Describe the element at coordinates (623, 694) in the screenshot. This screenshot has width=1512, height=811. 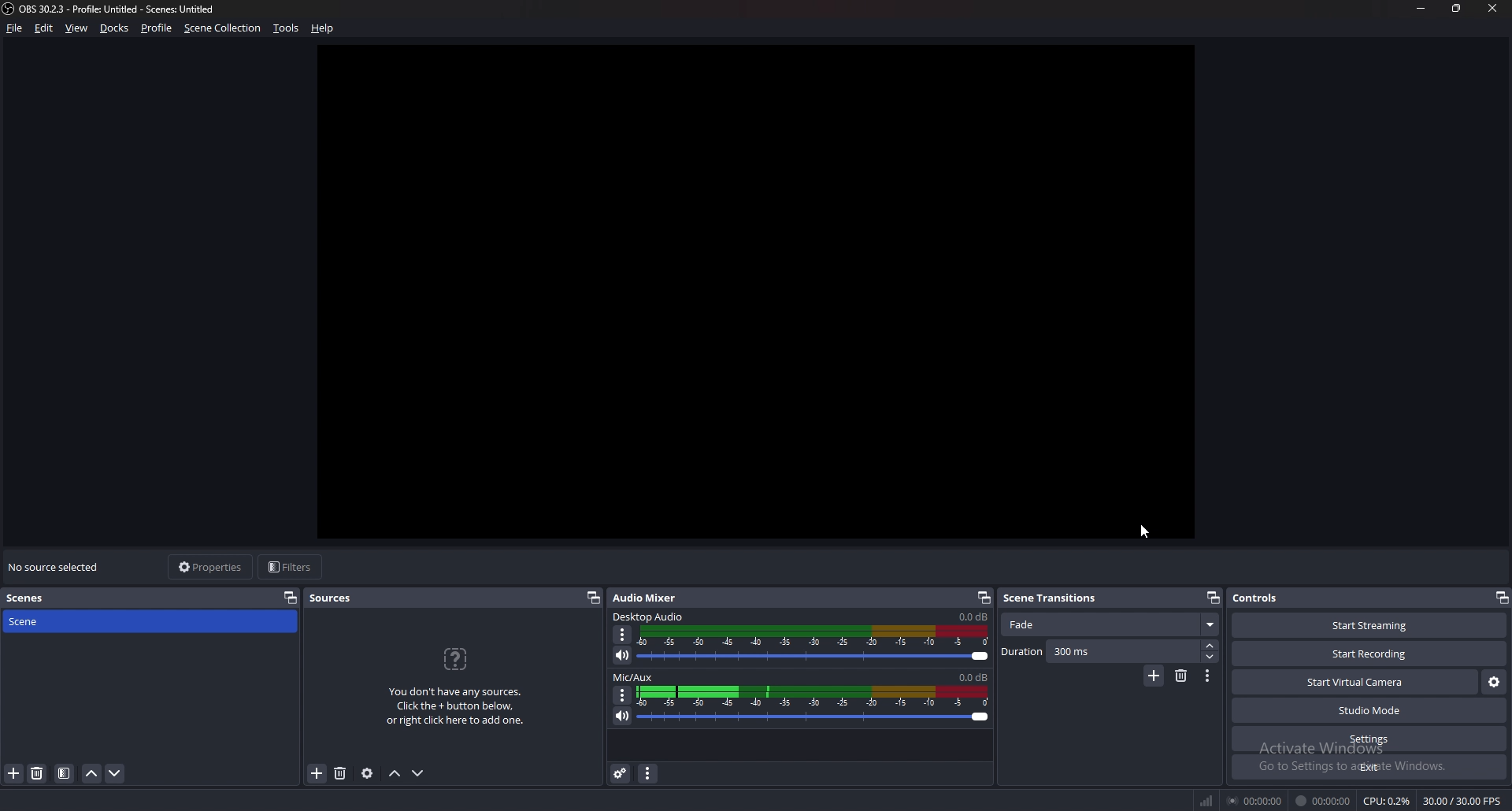
I see `options` at that location.